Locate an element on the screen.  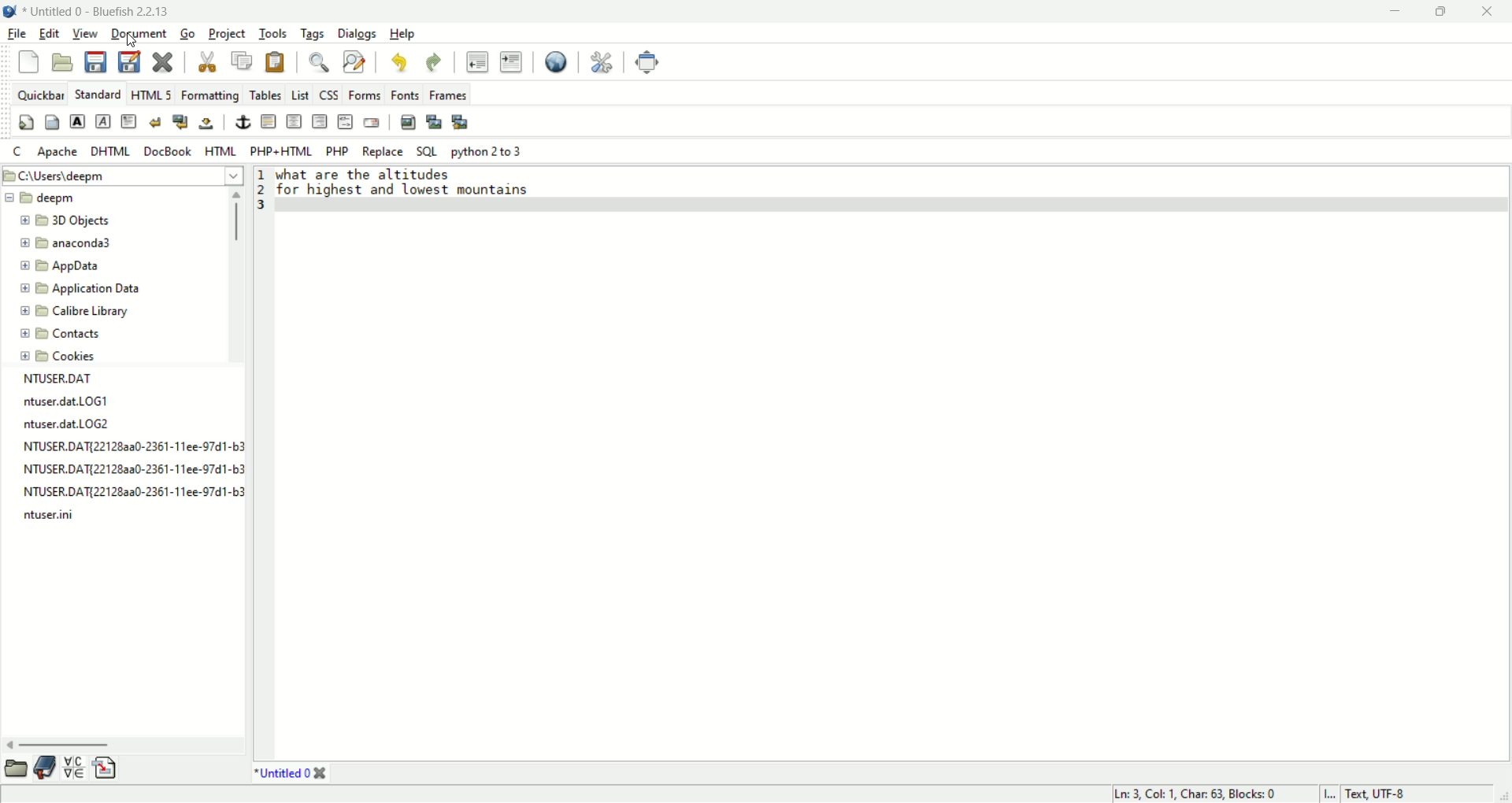
anchor/hyperlink is located at coordinates (244, 122).